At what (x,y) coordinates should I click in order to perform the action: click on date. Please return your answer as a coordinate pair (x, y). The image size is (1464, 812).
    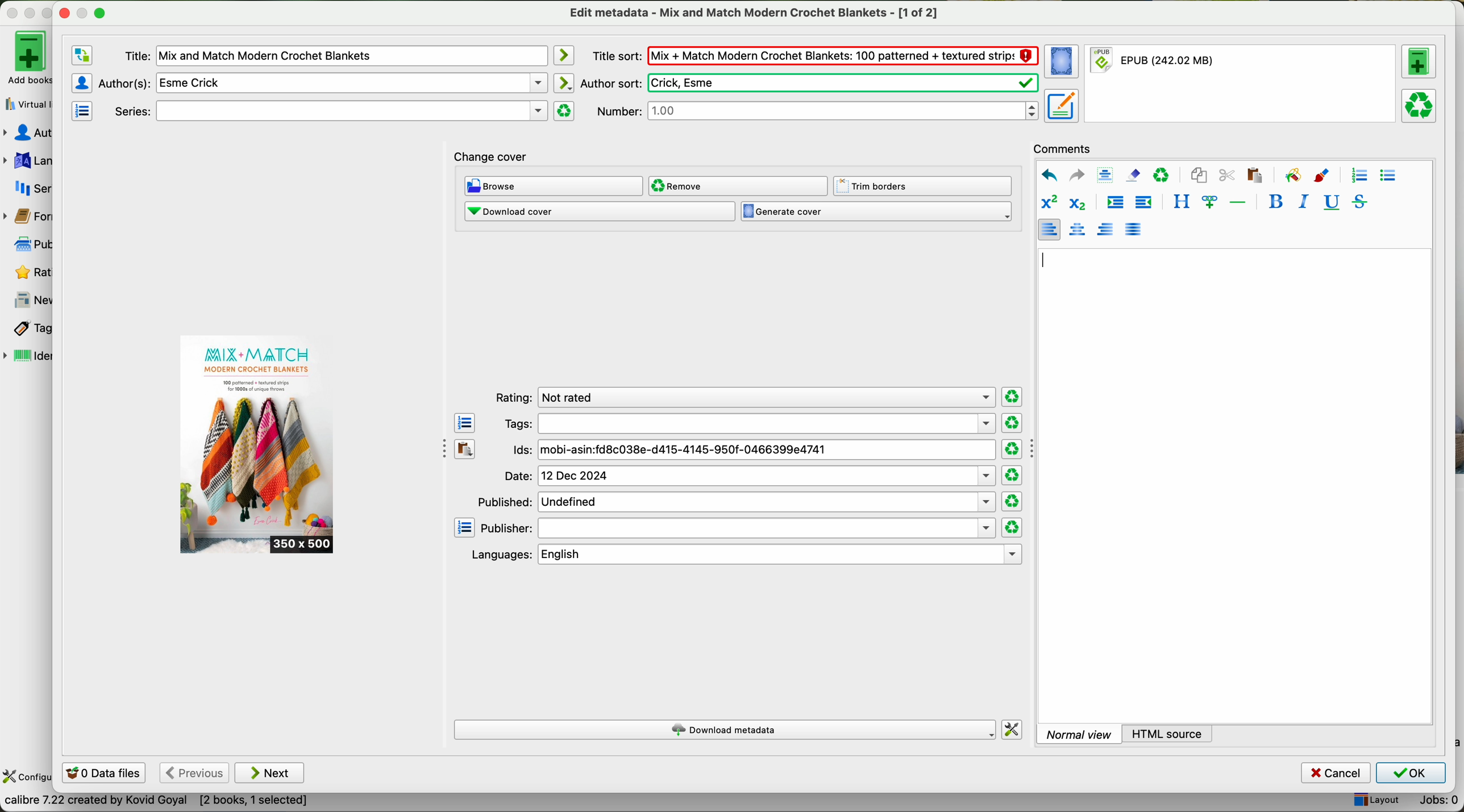
    Looking at the image, I should click on (749, 476).